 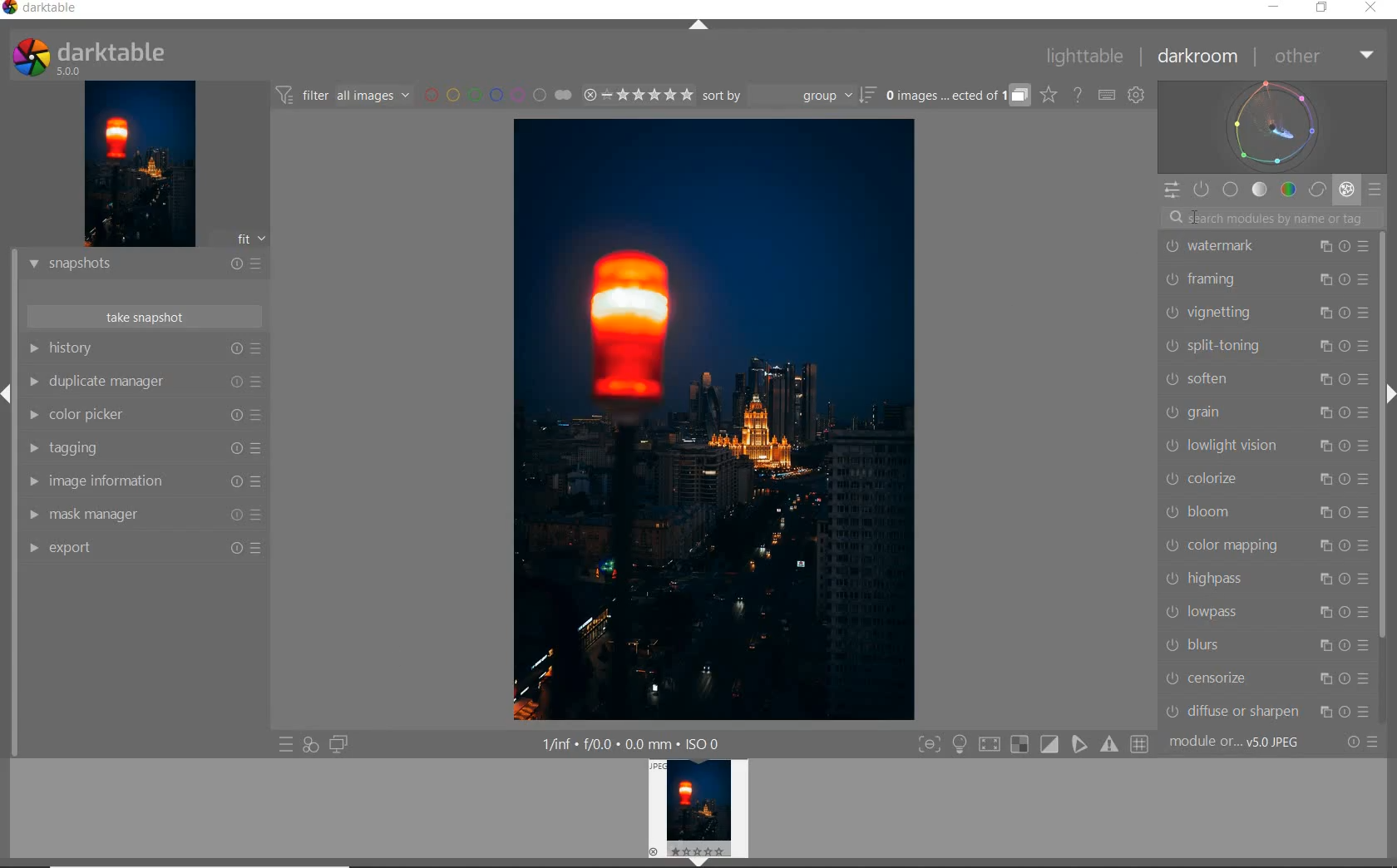 I want to click on RESET, so click(x=1355, y=742).